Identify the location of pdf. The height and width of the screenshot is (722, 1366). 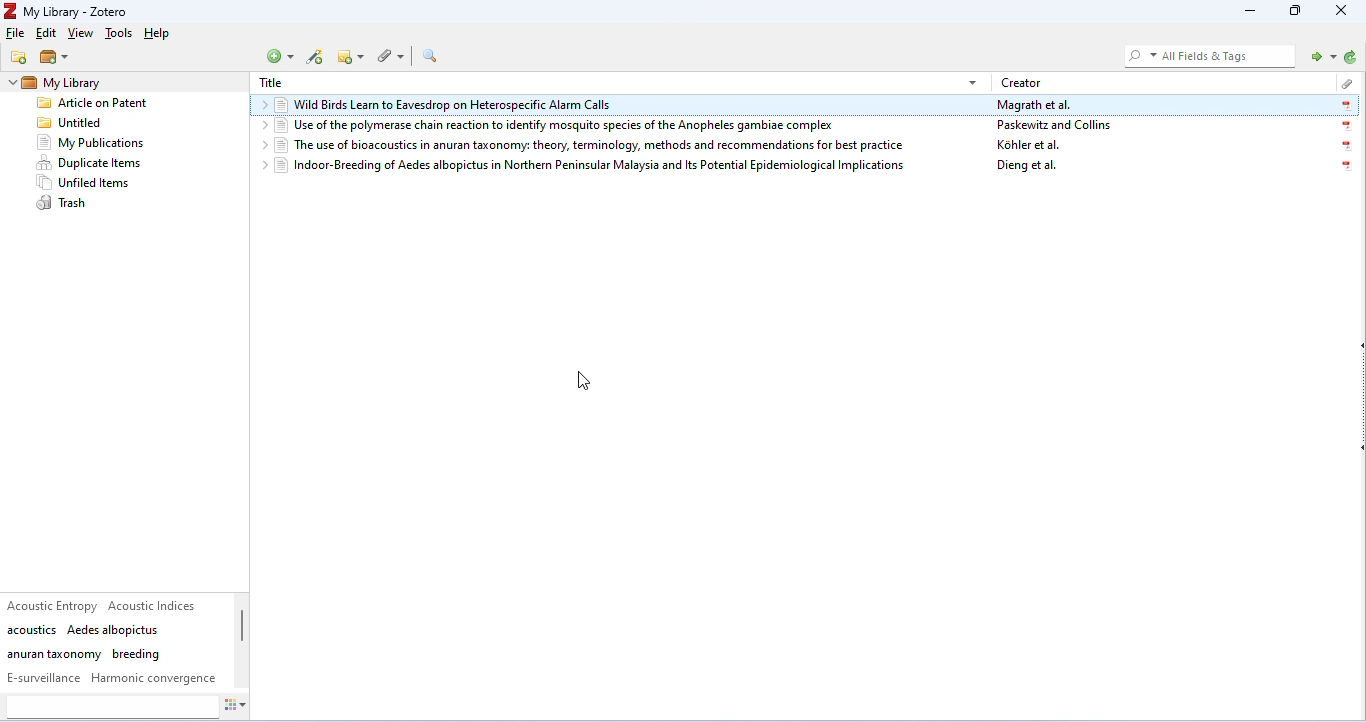
(1345, 106).